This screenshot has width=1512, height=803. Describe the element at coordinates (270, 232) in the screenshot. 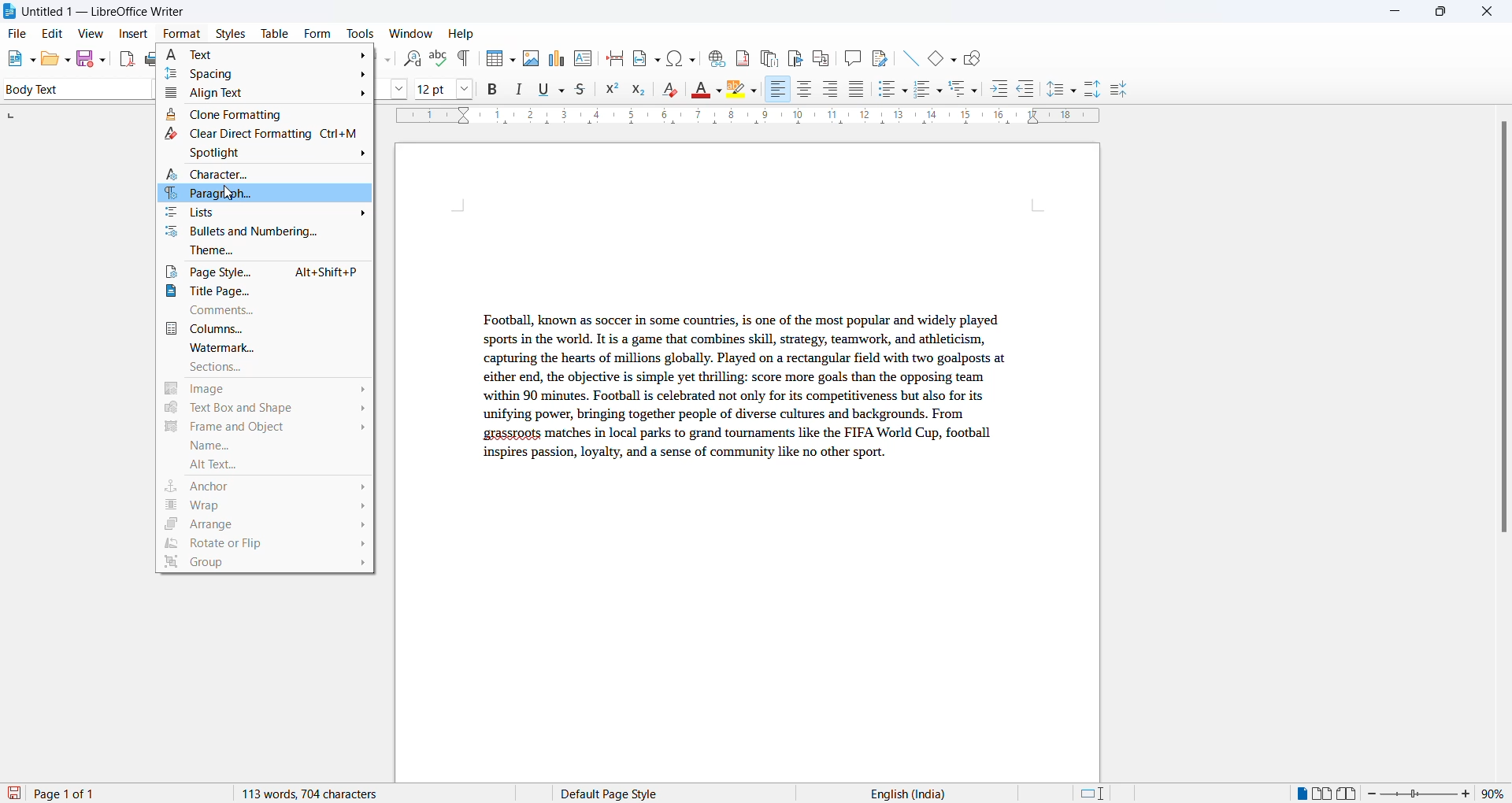

I see `bullets and numbering` at that location.